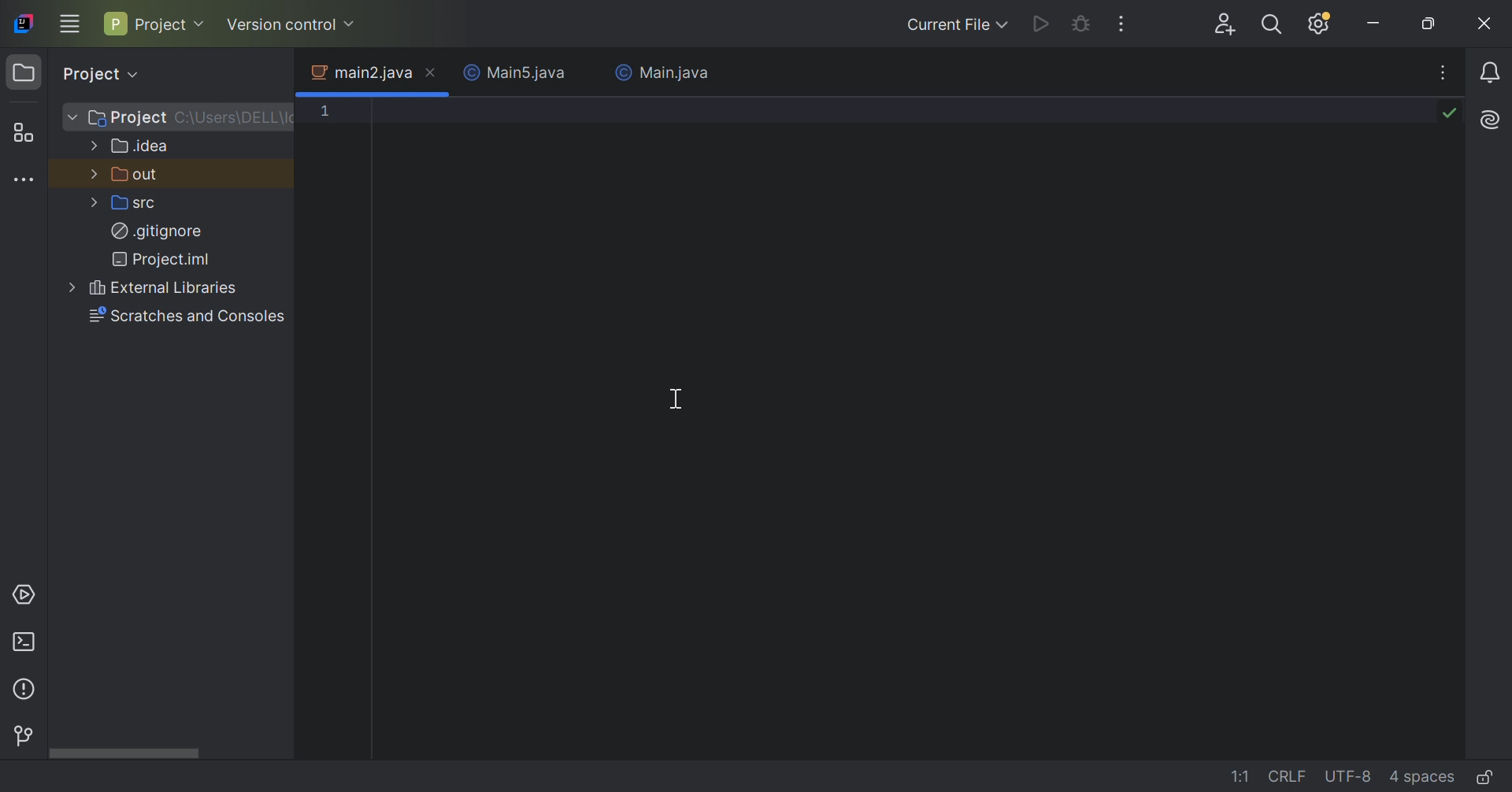 The image size is (1512, 792). What do you see at coordinates (164, 287) in the screenshot?
I see `External Libraries` at bounding box center [164, 287].